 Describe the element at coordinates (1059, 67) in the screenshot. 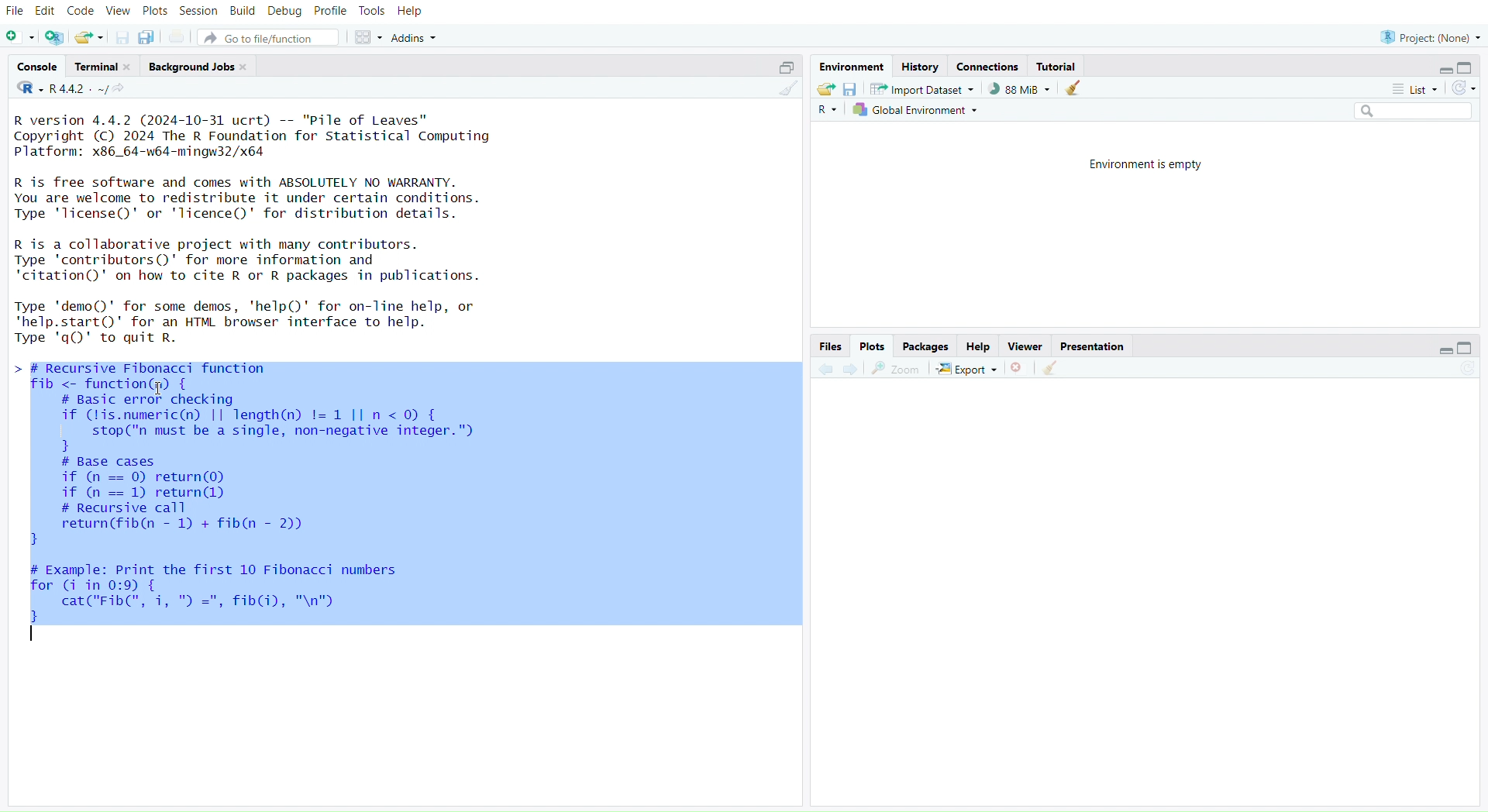

I see `tutorial` at that location.